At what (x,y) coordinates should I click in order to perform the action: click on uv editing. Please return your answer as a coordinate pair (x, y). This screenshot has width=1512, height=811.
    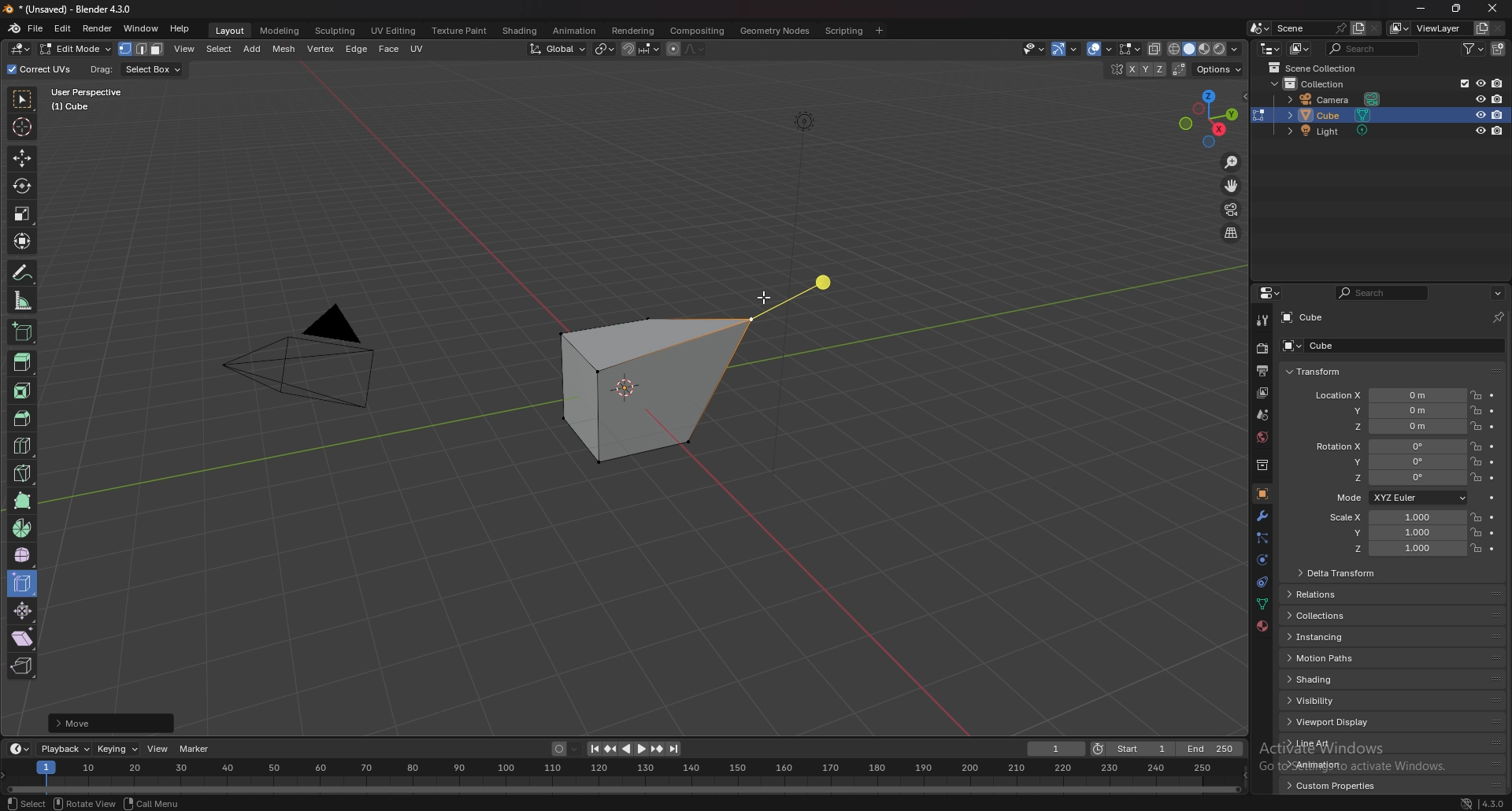
    Looking at the image, I should click on (395, 31).